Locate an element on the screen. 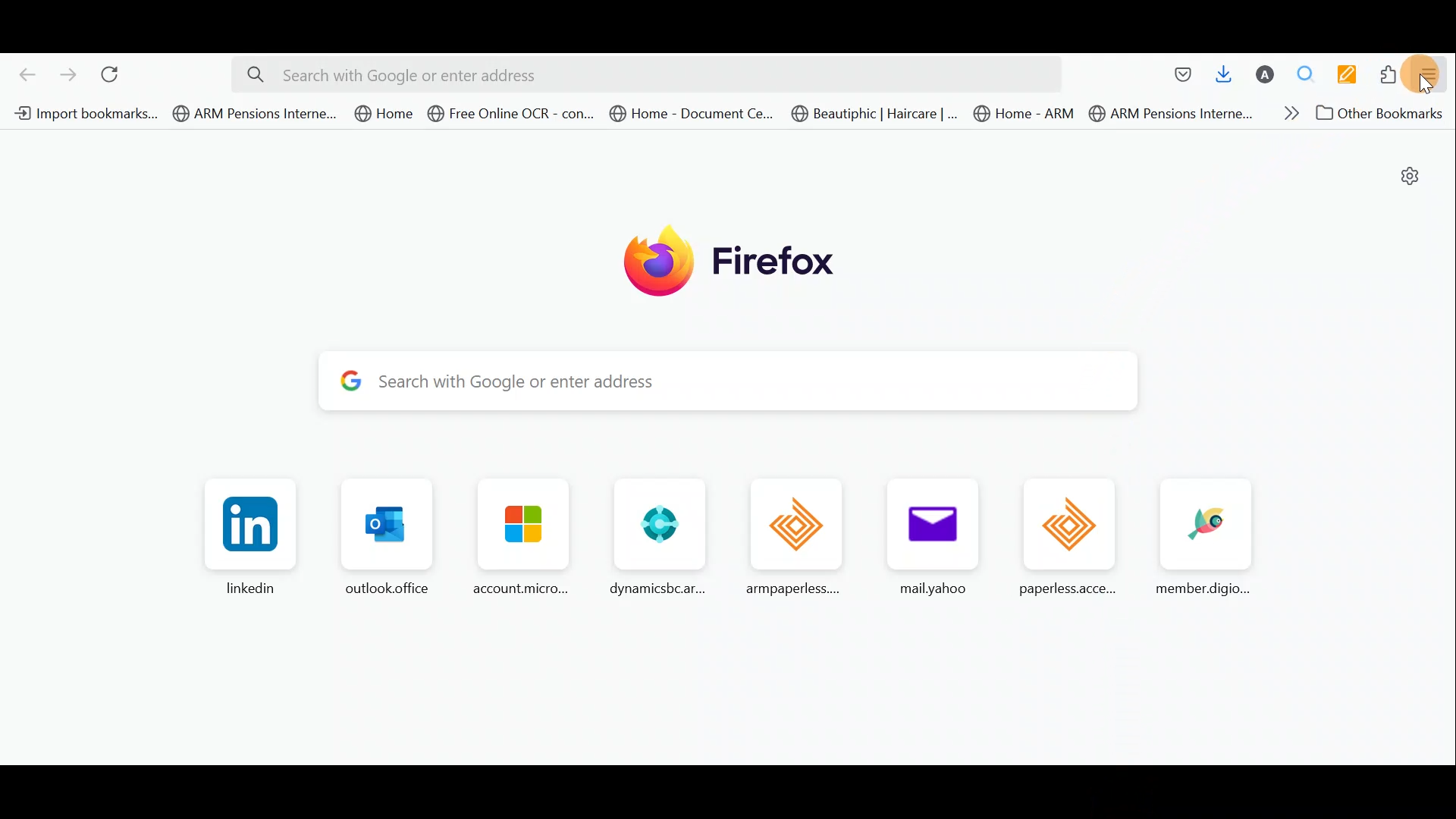  Search bar is located at coordinates (642, 75).